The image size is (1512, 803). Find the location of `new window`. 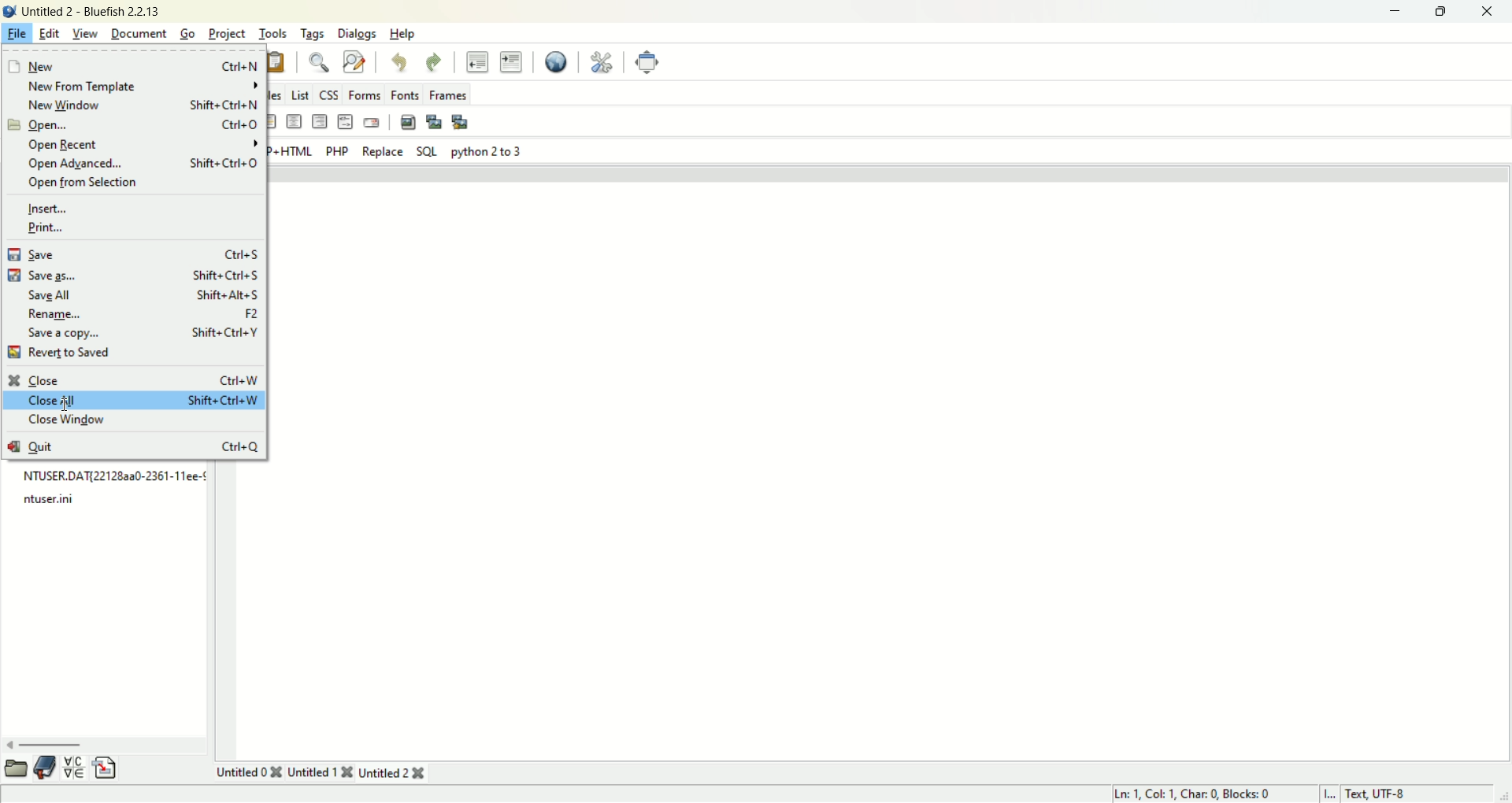

new window is located at coordinates (140, 105).